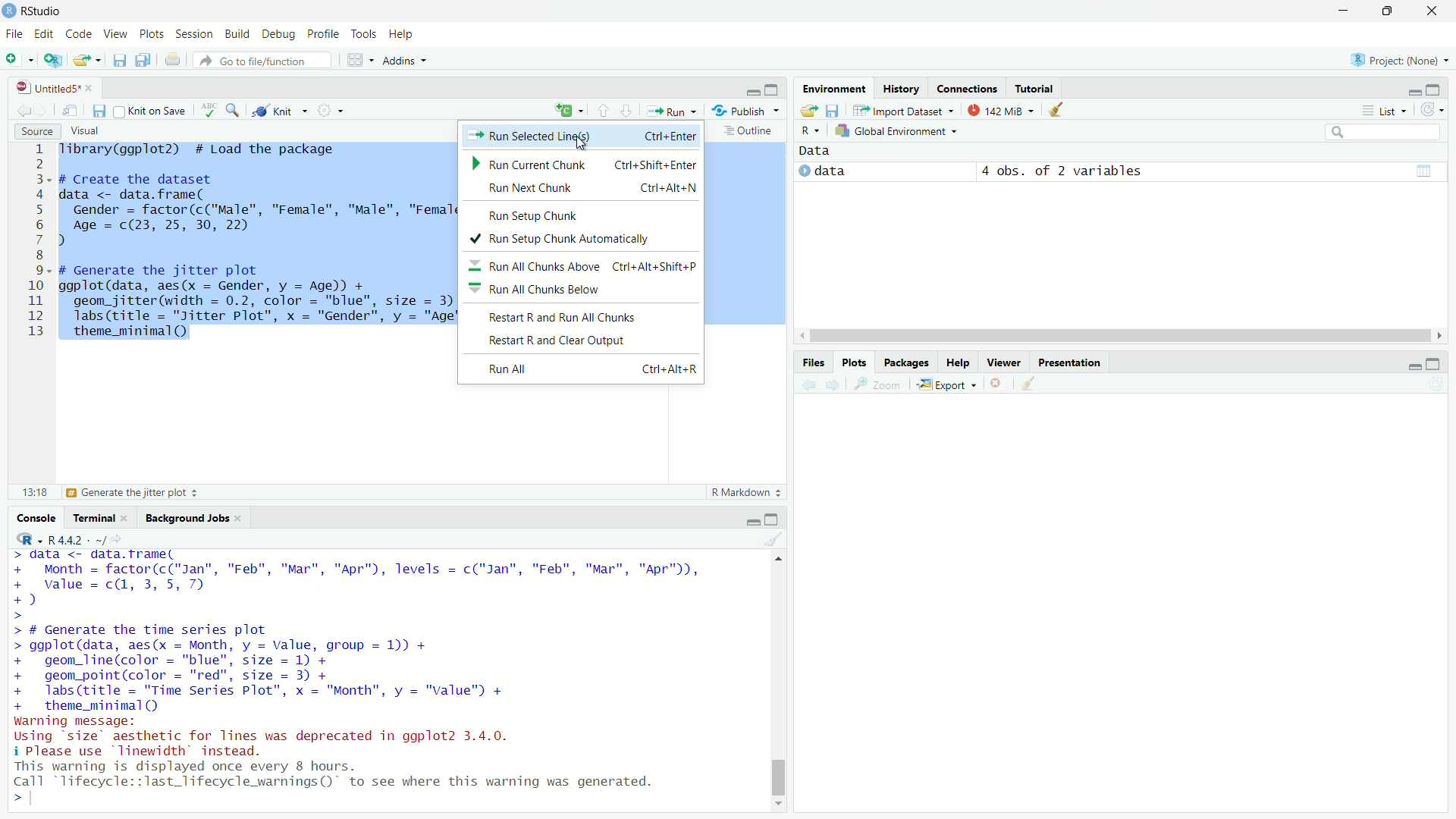 This screenshot has height=819, width=1456. Describe the element at coordinates (907, 362) in the screenshot. I see `packages` at that location.